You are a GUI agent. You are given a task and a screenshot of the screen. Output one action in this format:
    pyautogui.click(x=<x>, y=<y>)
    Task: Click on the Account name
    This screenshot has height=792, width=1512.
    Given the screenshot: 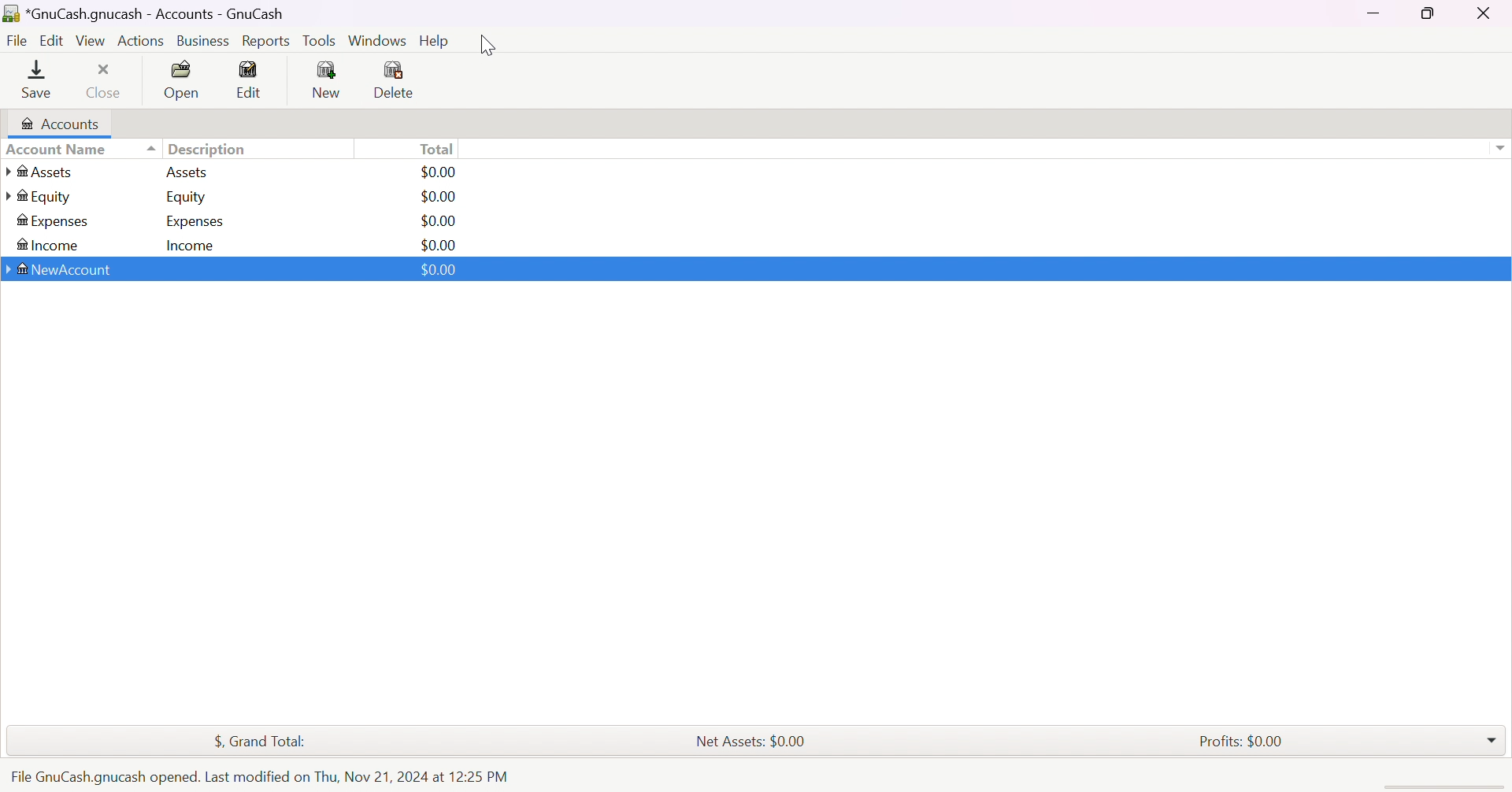 What is the action you would take?
    pyautogui.click(x=79, y=149)
    